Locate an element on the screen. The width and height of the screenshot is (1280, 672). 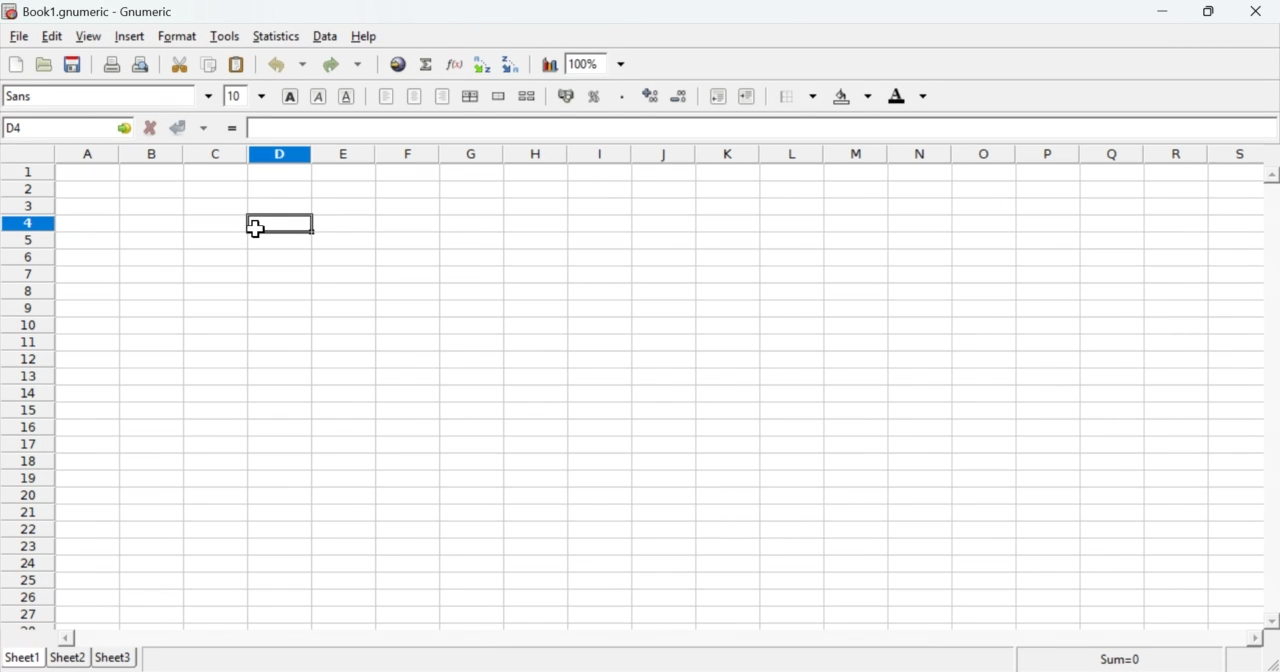
Zoom is located at coordinates (599, 63).